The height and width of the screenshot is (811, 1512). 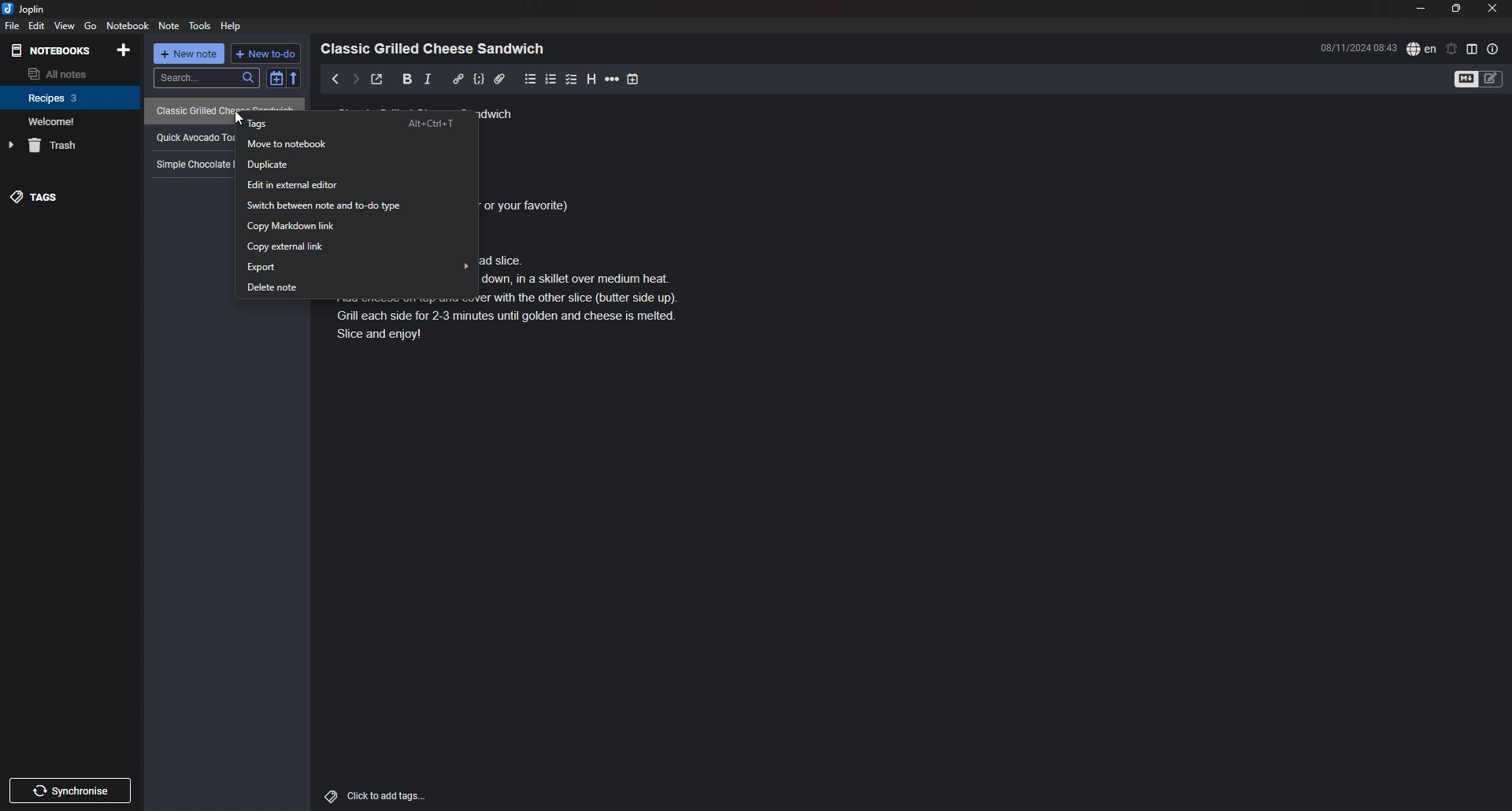 What do you see at coordinates (72, 146) in the screenshot?
I see `trash` at bounding box center [72, 146].